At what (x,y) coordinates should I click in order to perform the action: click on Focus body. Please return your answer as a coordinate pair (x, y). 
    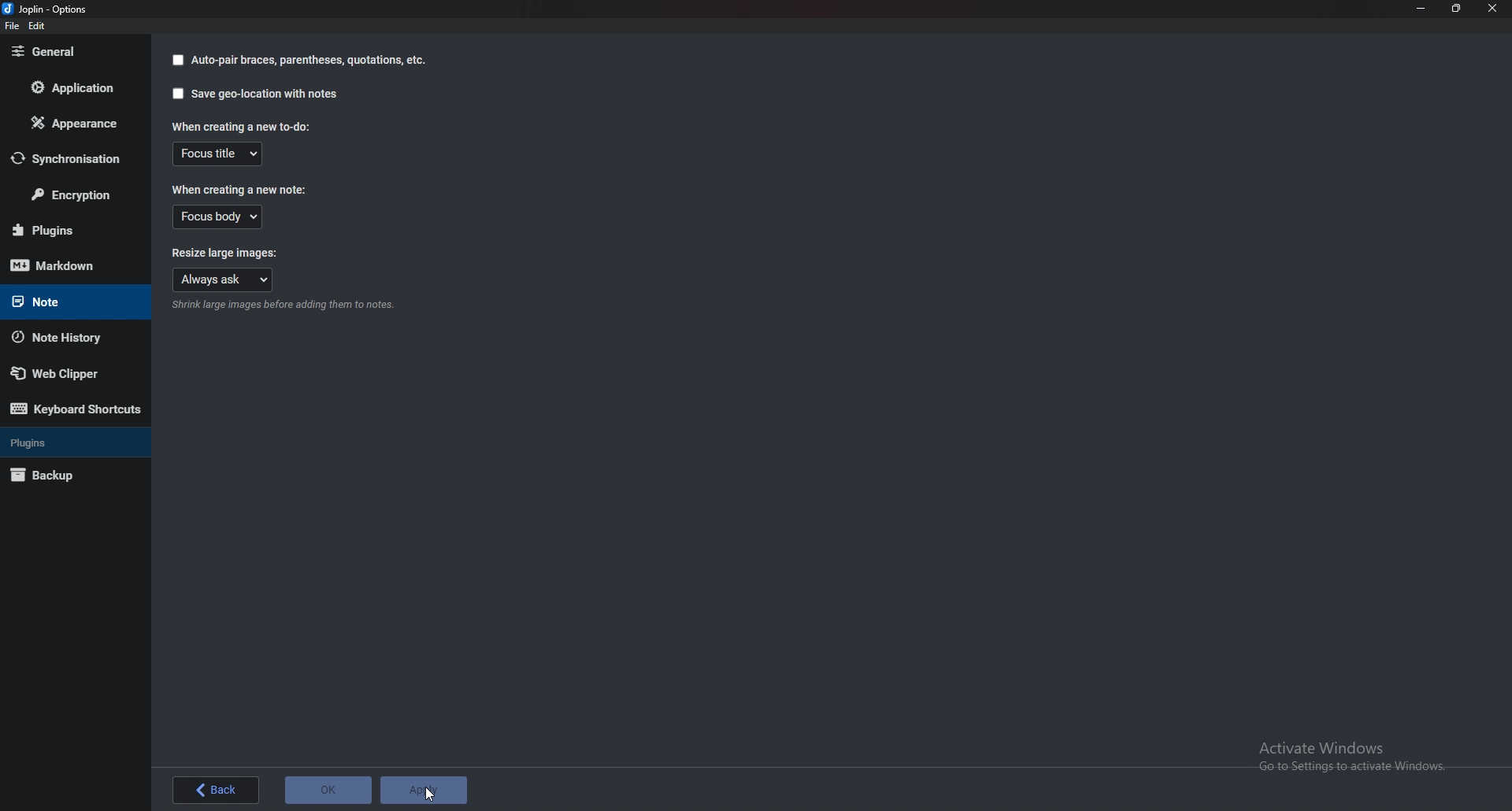
    Looking at the image, I should click on (218, 218).